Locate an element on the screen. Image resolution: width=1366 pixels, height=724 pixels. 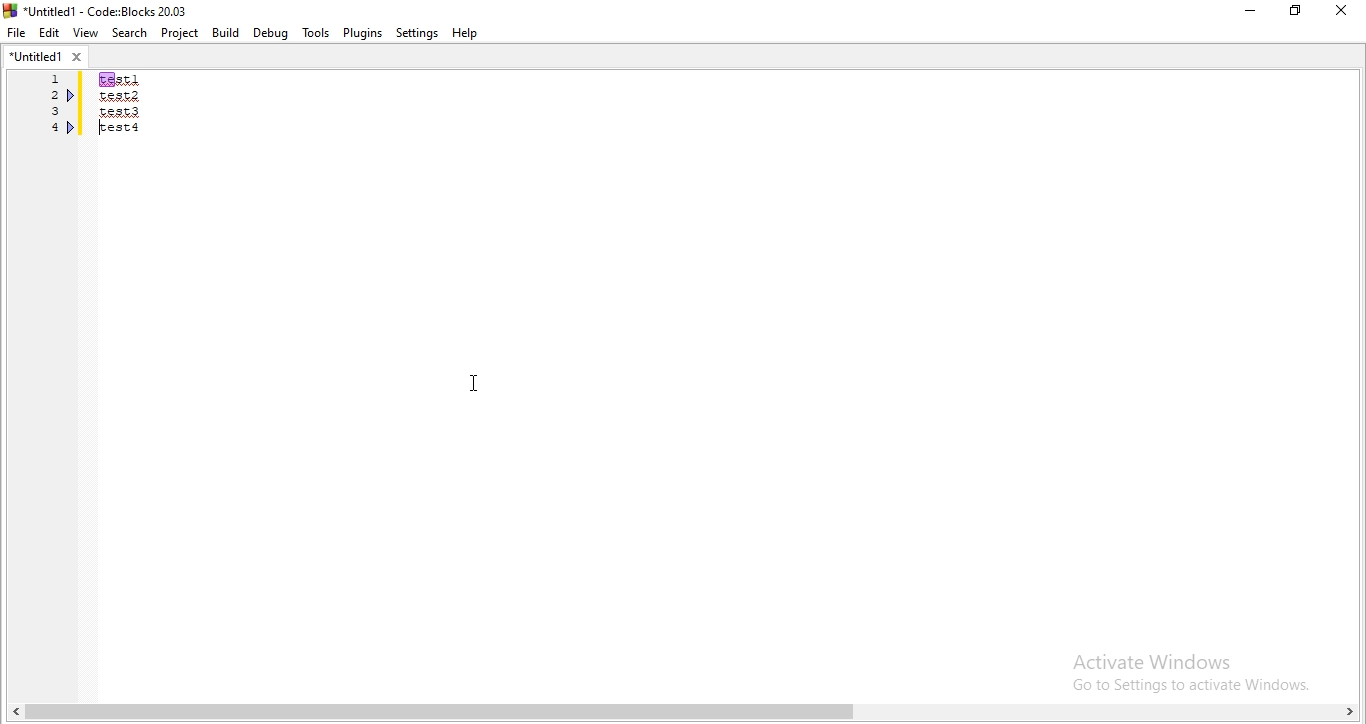
Edit  is located at coordinates (48, 32).